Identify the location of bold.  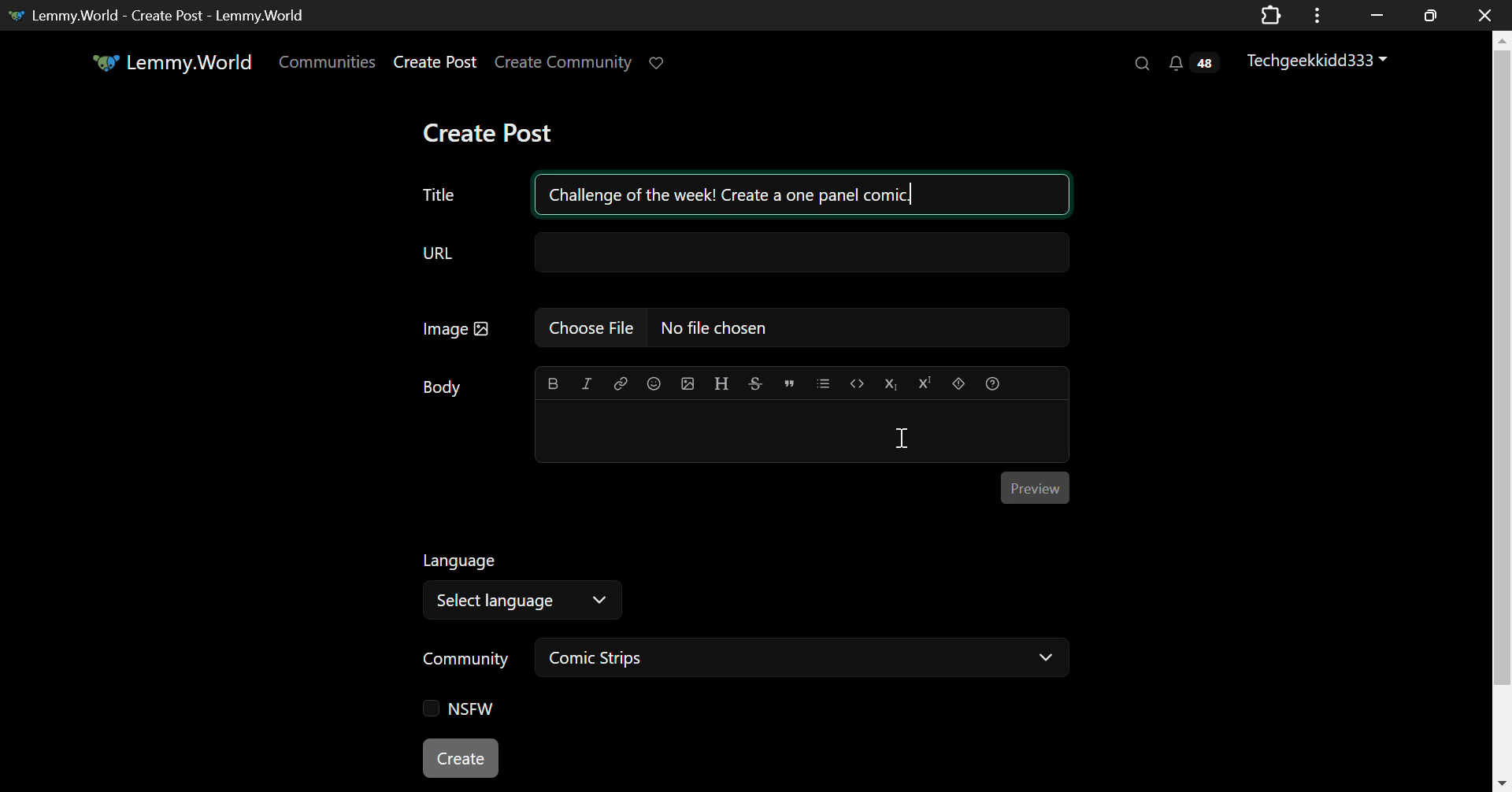
(550, 383).